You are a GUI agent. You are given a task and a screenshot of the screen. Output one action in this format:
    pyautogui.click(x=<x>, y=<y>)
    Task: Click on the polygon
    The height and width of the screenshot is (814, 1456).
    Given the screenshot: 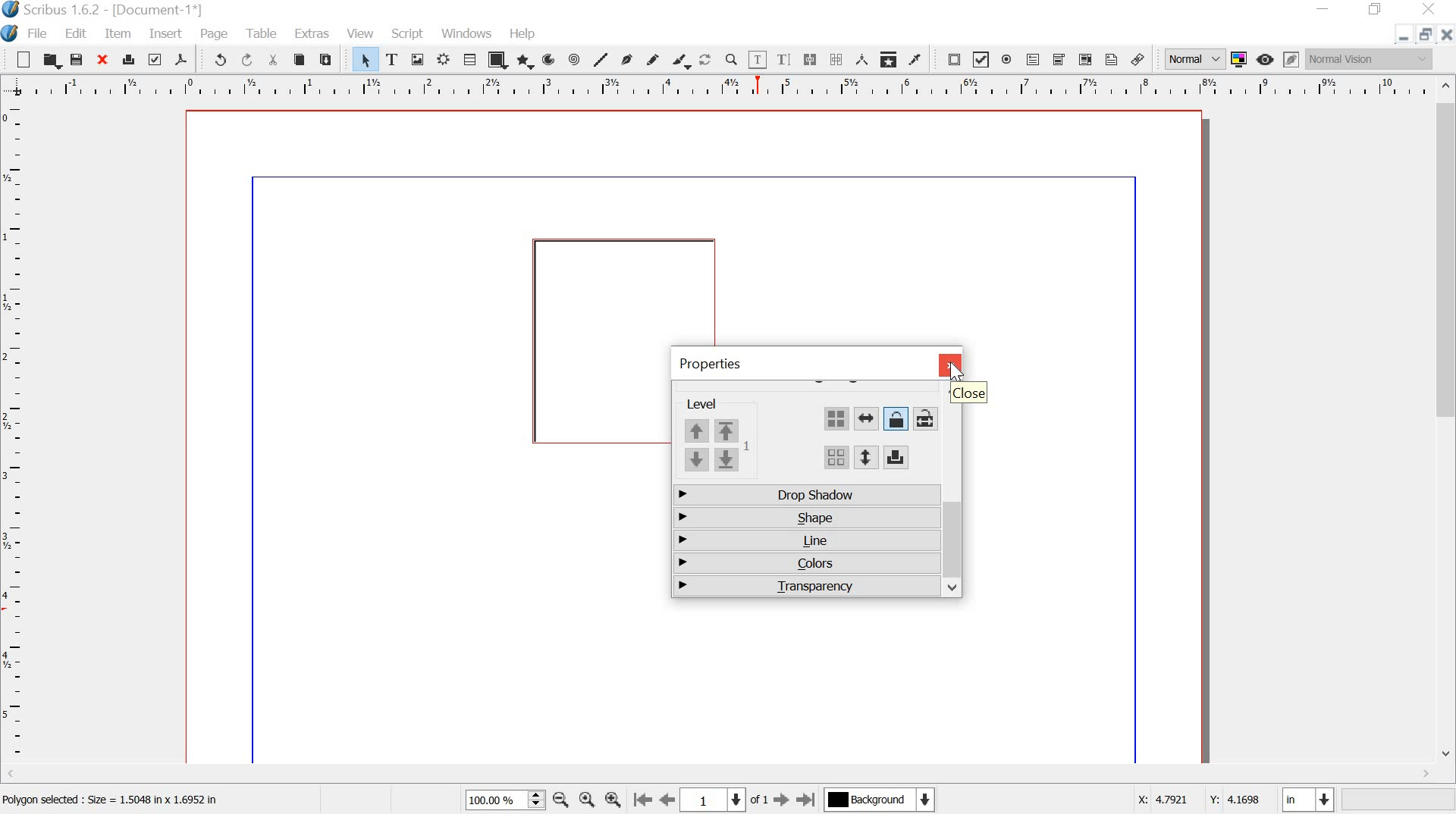 What is the action you would take?
    pyautogui.click(x=526, y=61)
    